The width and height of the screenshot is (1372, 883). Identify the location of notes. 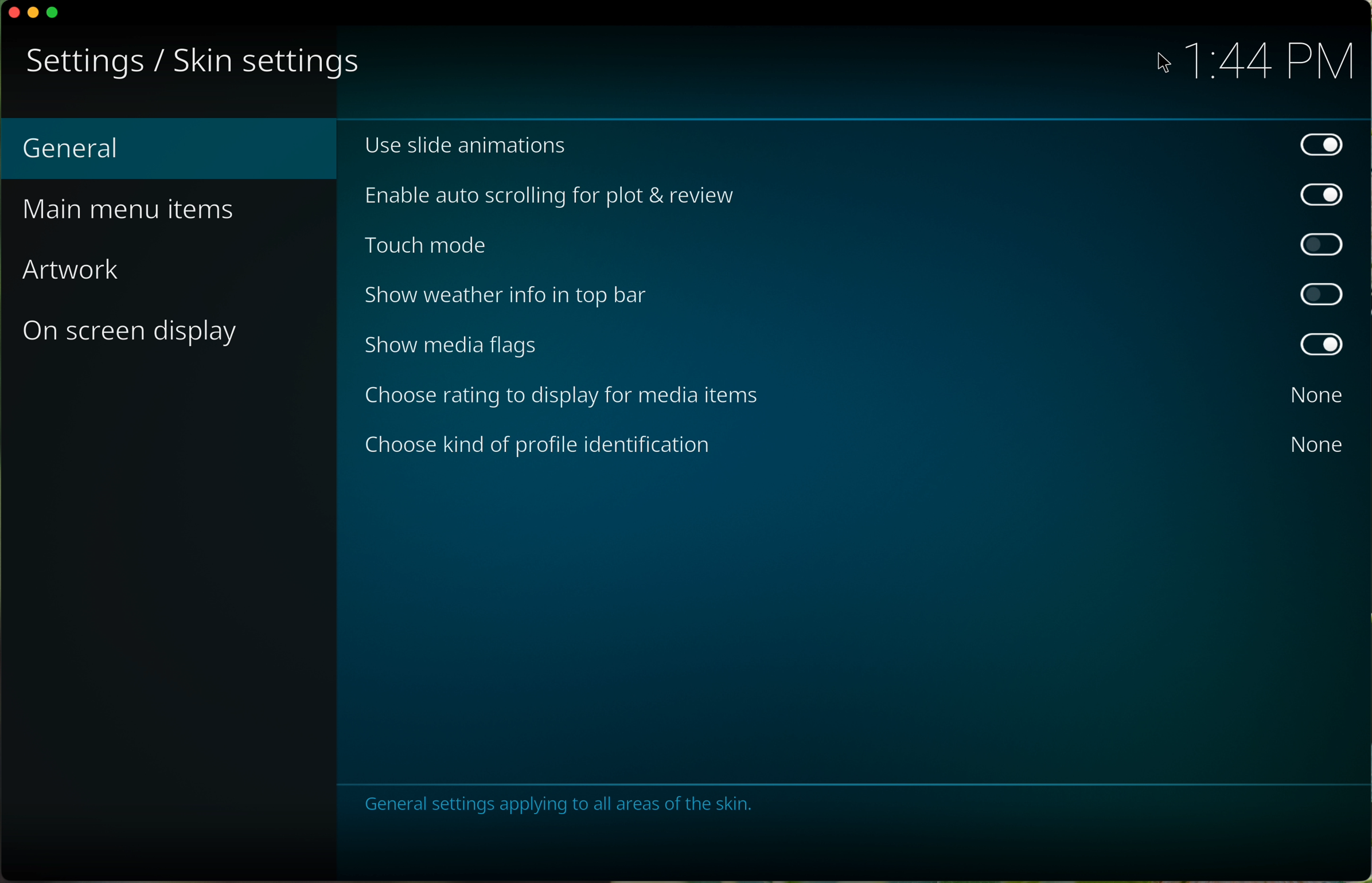
(556, 803).